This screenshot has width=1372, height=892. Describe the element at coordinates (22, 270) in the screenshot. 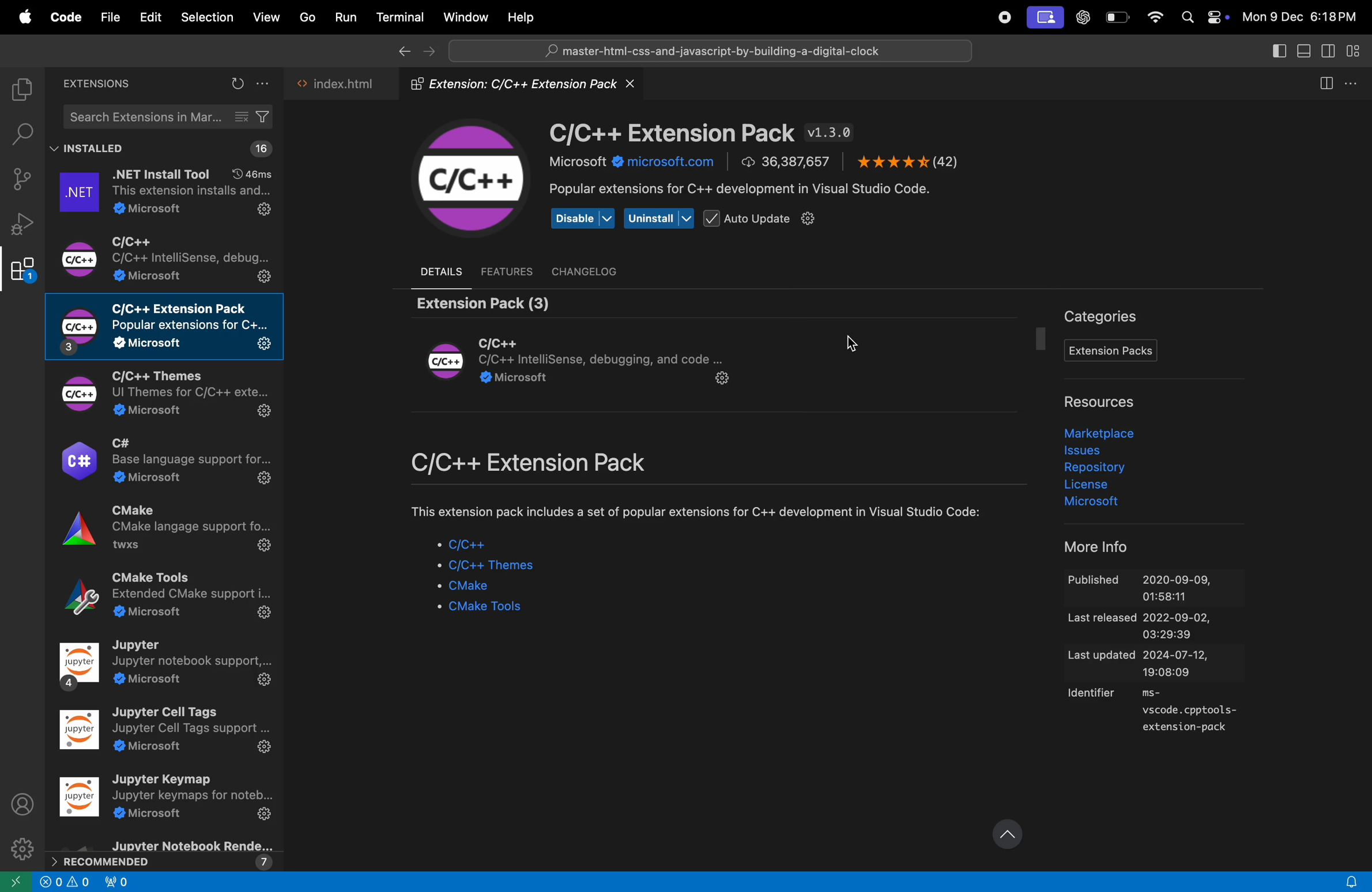

I see `Extensions` at that location.